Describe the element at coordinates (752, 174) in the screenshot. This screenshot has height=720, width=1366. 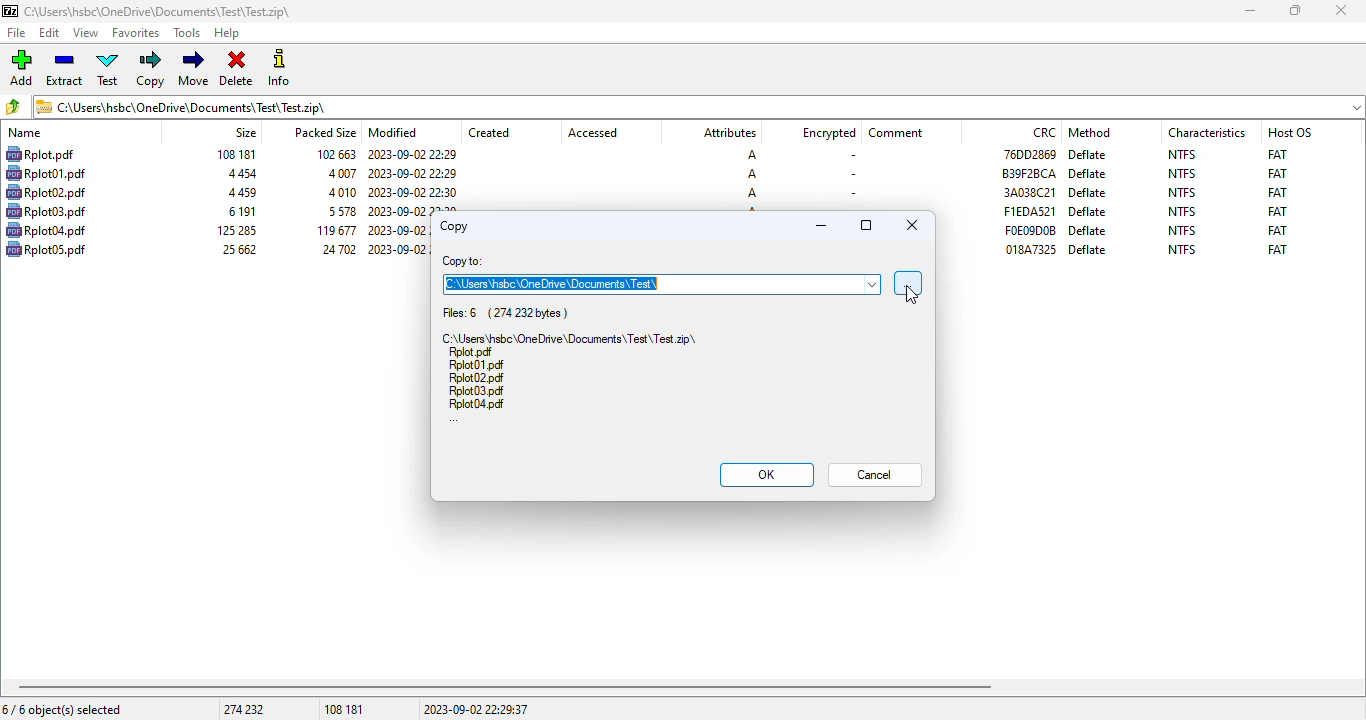
I see `A` at that location.